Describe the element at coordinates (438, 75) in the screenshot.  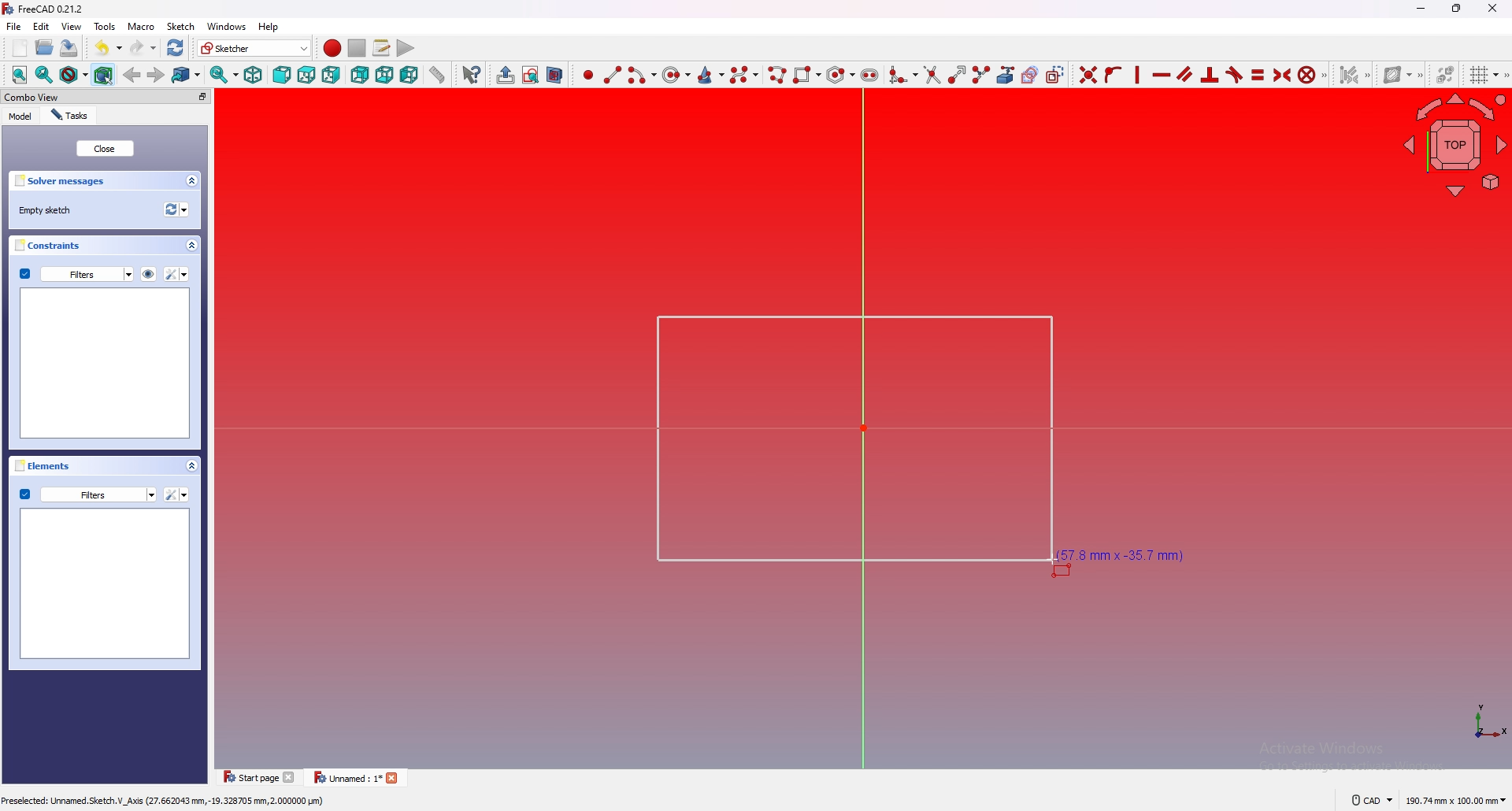
I see `measure distance` at that location.